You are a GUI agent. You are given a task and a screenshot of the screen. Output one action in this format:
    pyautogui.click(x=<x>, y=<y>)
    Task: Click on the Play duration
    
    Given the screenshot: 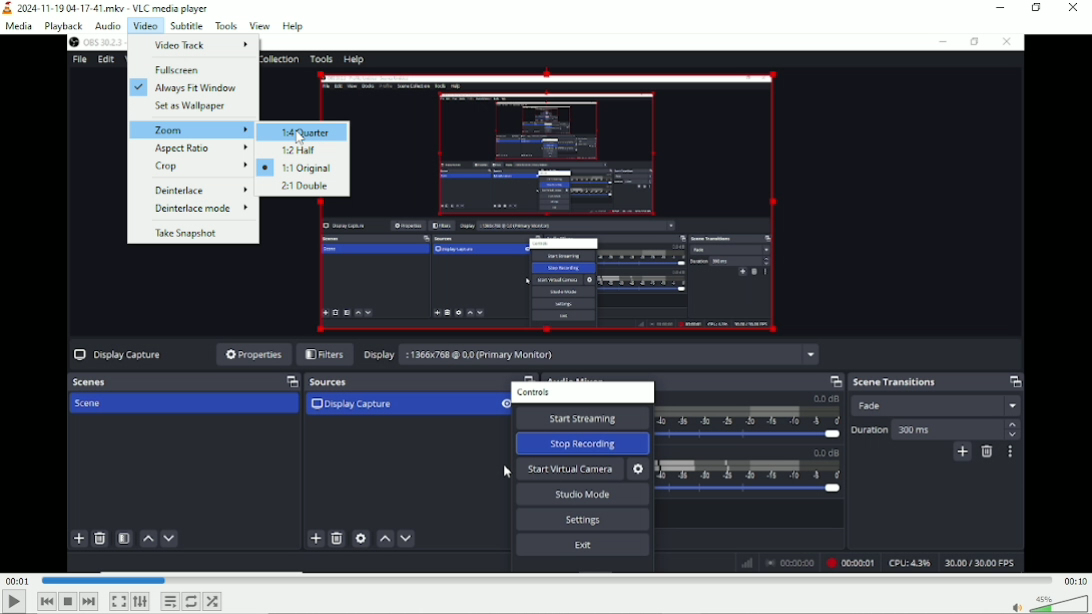 What is the action you would take?
    pyautogui.click(x=545, y=582)
    